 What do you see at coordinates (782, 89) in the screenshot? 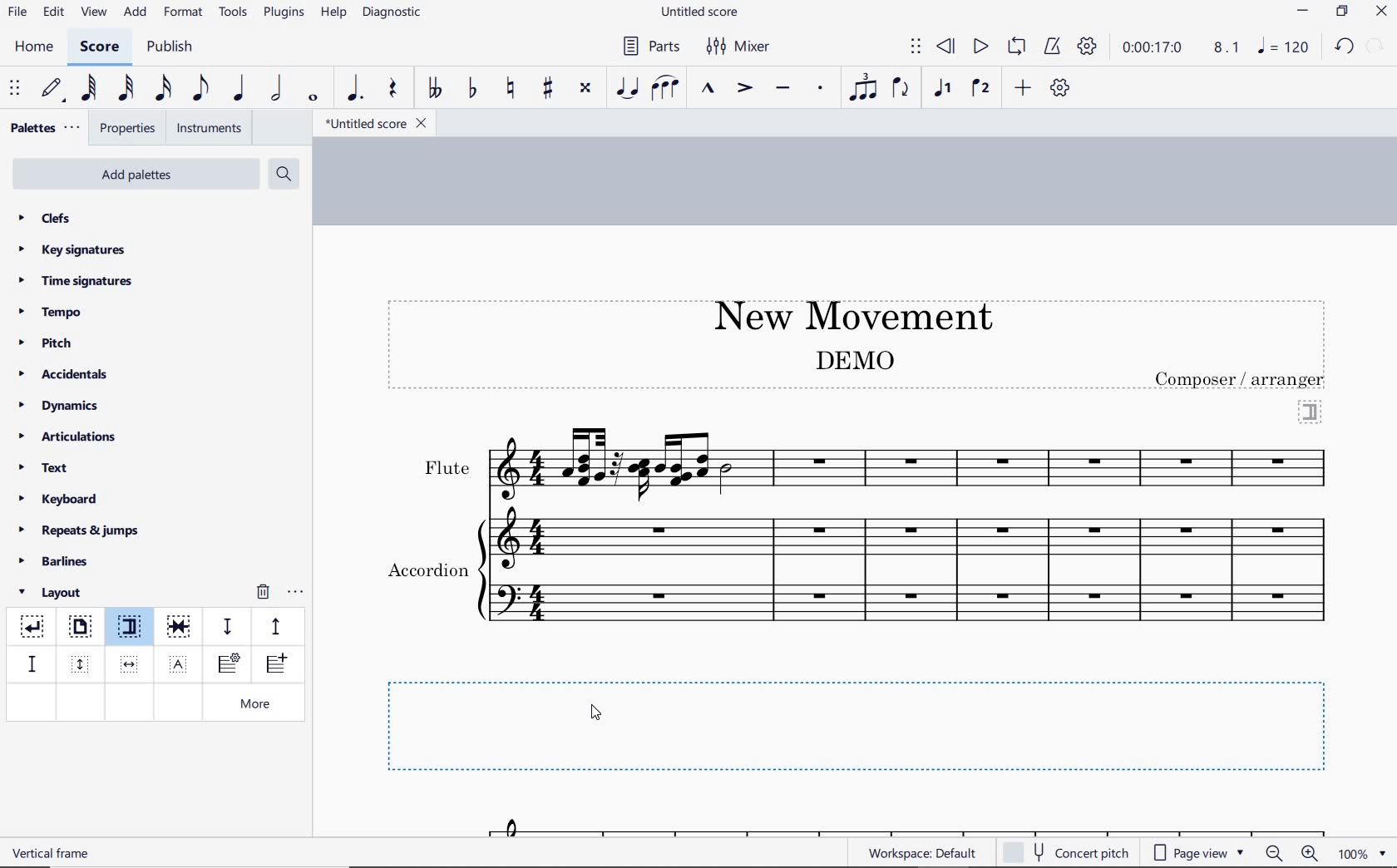
I see `tenuto` at bounding box center [782, 89].